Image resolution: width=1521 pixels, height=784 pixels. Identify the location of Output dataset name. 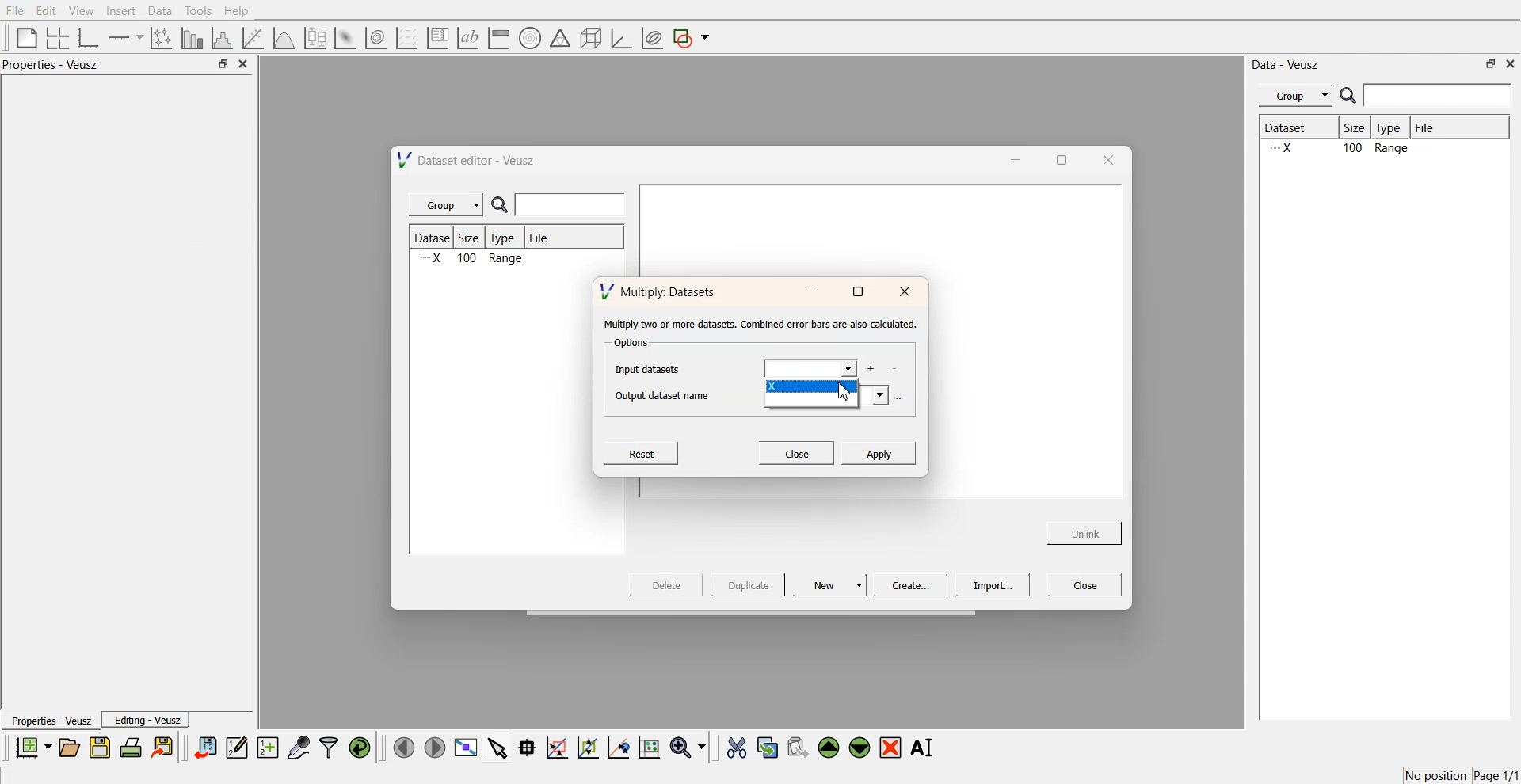
(668, 395).